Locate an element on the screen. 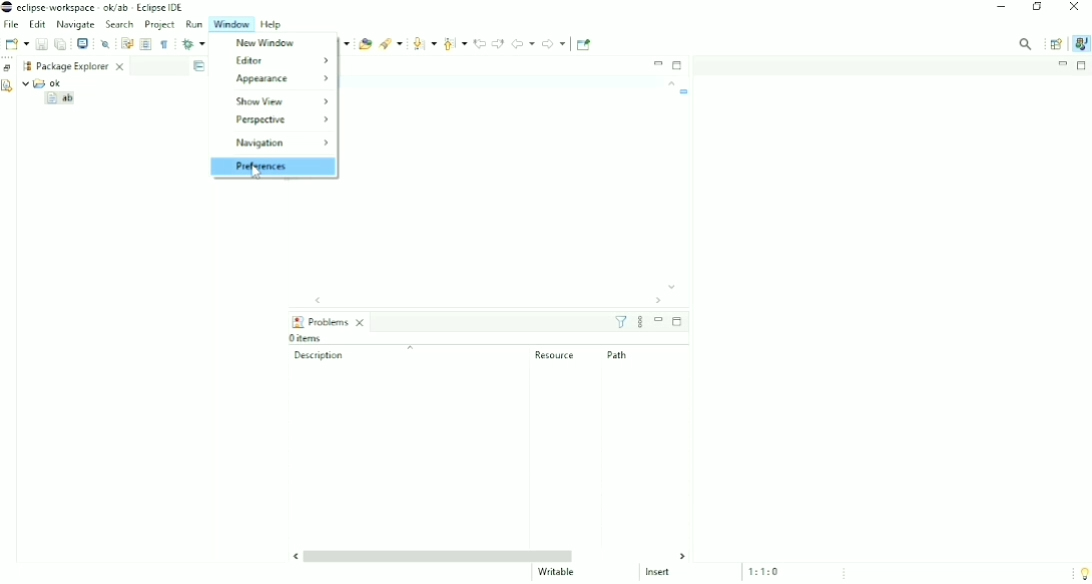 The width and height of the screenshot is (1092, 584). Problems is located at coordinates (331, 320).